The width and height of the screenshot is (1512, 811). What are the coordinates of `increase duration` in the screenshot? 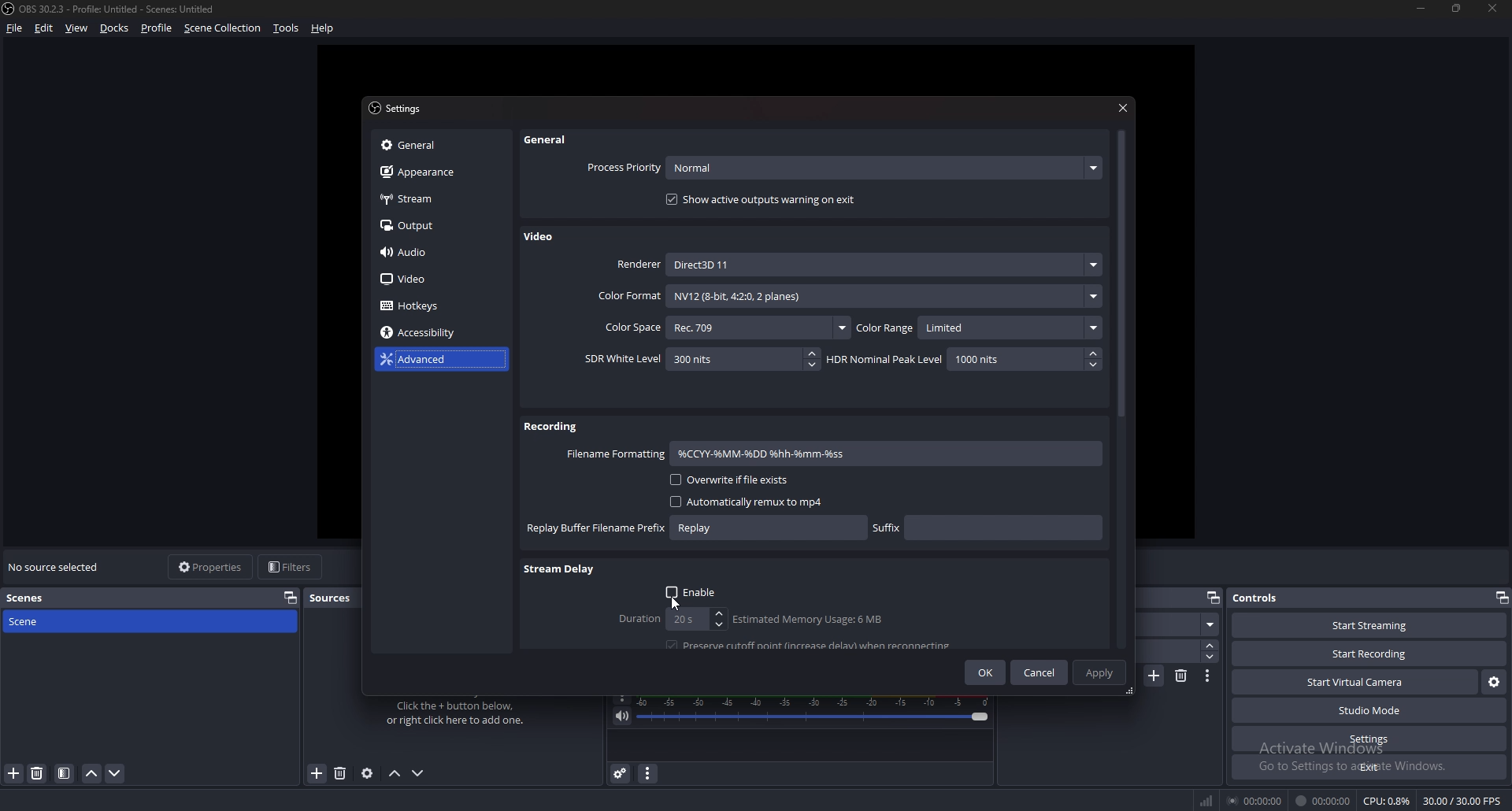 It's located at (1210, 646).